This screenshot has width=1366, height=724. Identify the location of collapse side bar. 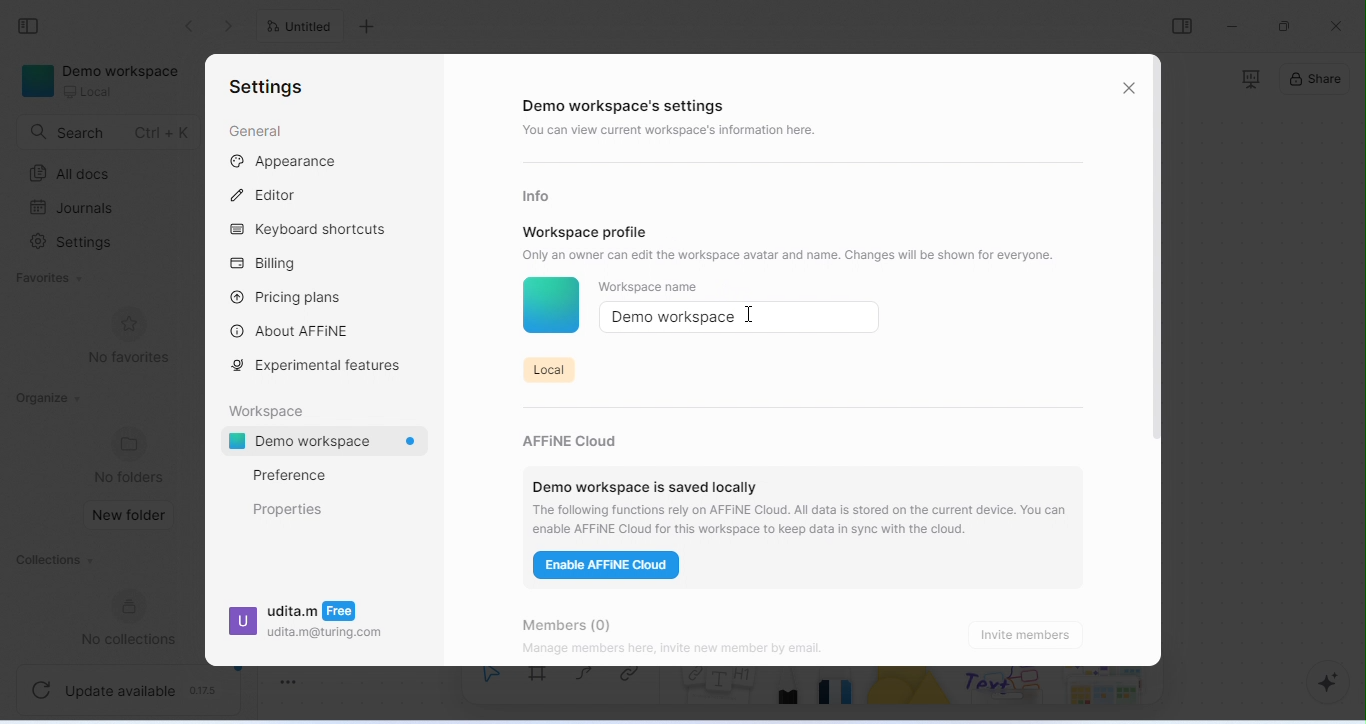
(34, 27).